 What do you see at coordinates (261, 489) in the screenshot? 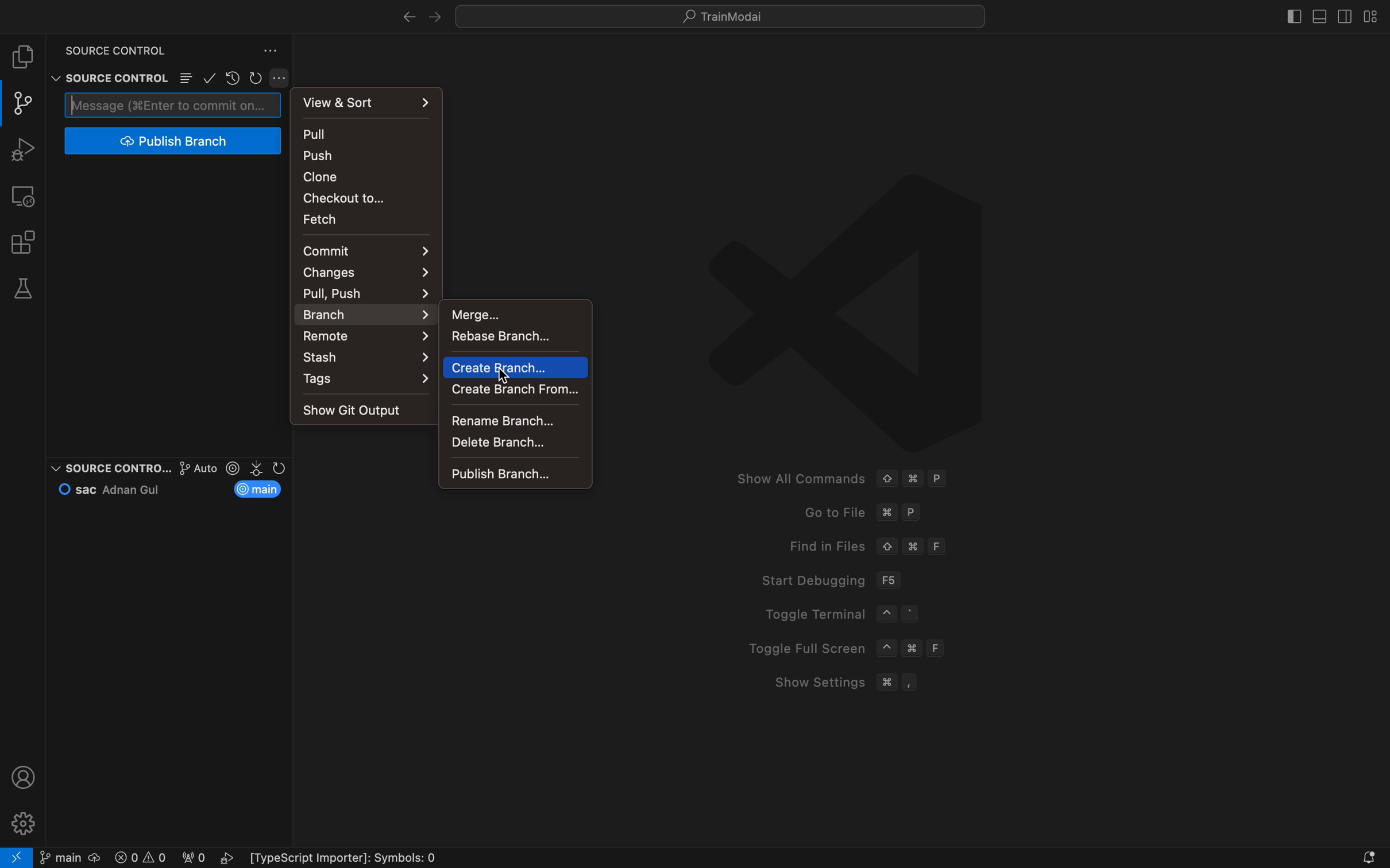
I see `current branch` at bounding box center [261, 489].